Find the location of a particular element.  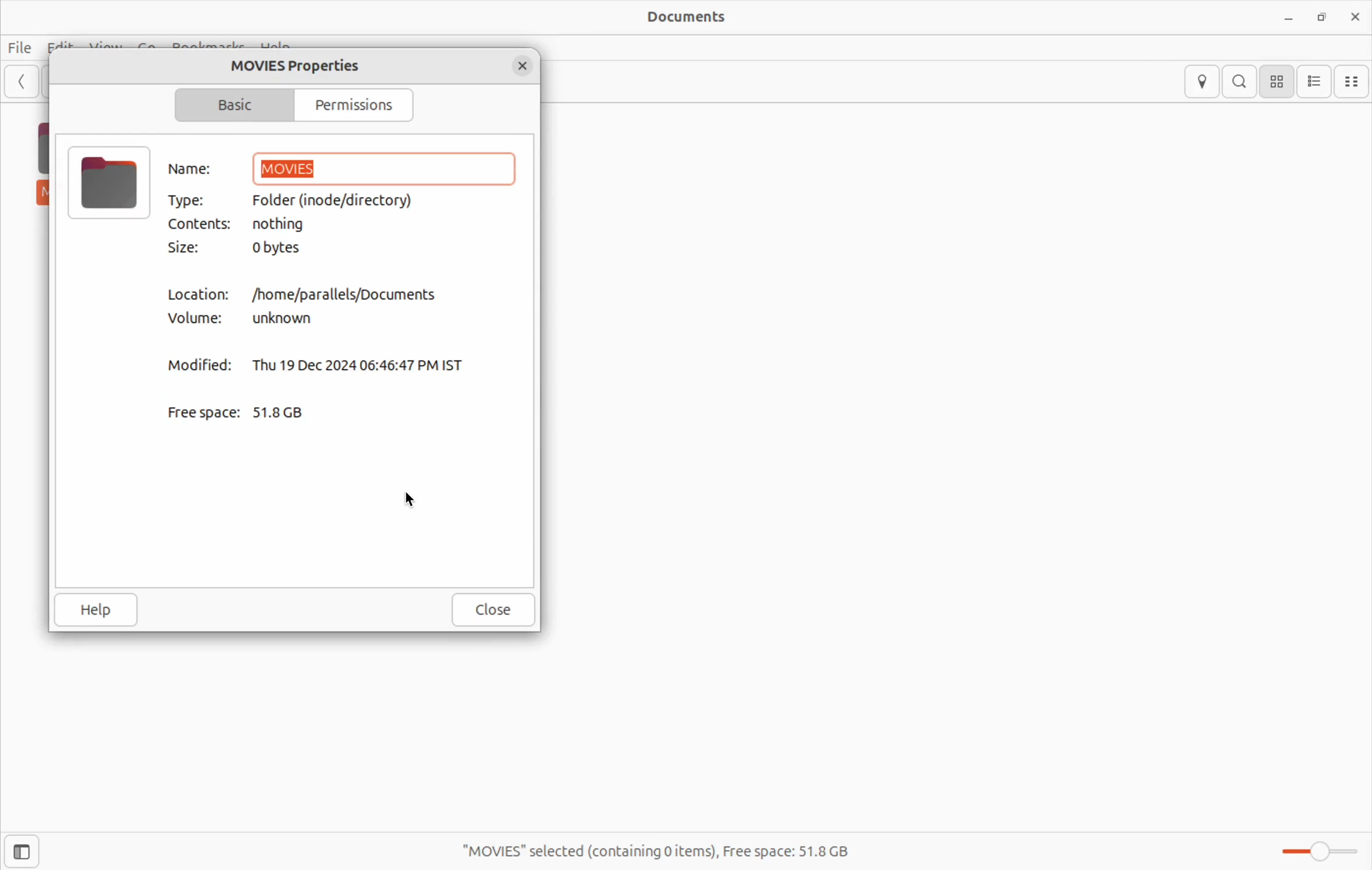

Basic is located at coordinates (235, 105).